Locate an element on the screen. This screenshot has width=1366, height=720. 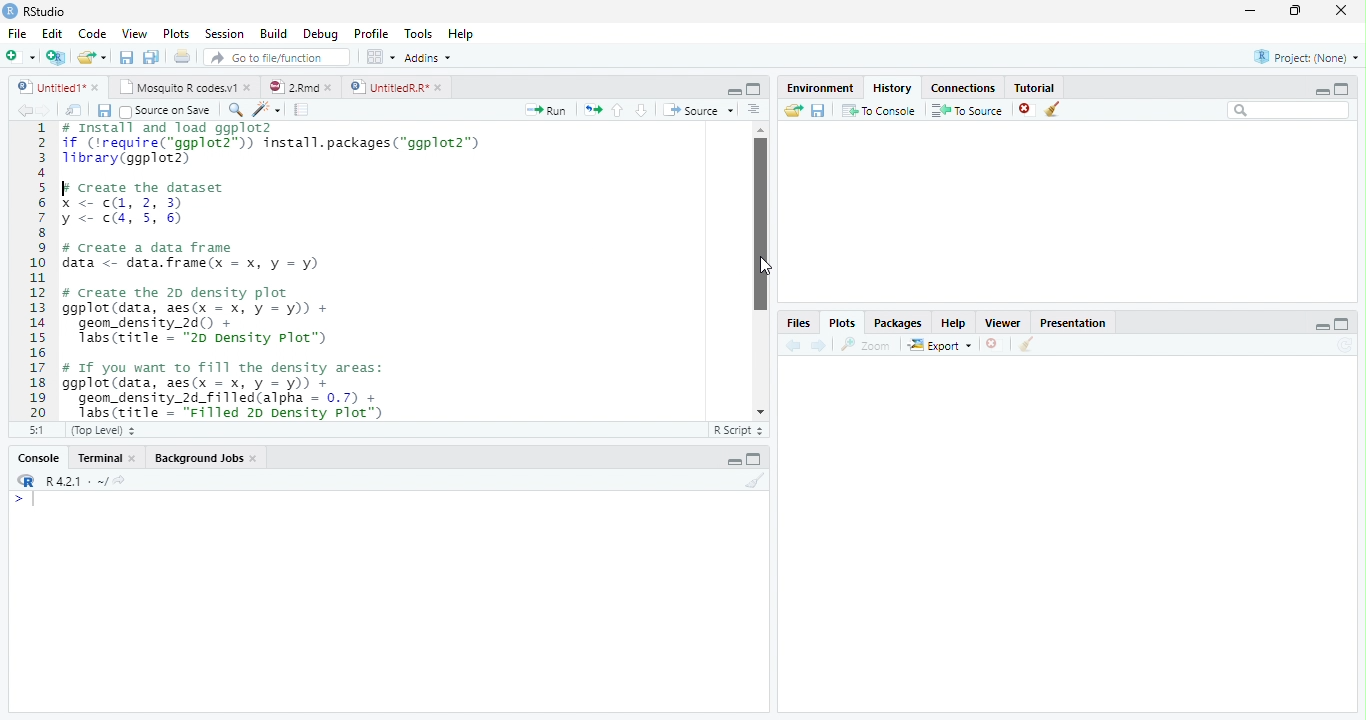
1 # Install and load ggplot2
2 if (irequire(“ggplot2”)) install.packages(“ggplot2”)
3 library(ggplot2)

4

5 J Create the dataset
6 x <c@, 2,3)

7 y<cG 5 8)

8

9 # create a data frame

10 data <- data.frame(x = x, y = y)

11
12 # create the 20 density plot
13 ggplot(data, aes(x = x, y = y)) +
14  geom_density_2d() +
15 labs(title - "20 Density Plot")

16
17 # If you want to fill the density areas:

18 ggplot(data, aes(x = x, y = y)) +
19 geom_density_2d_filled(alpha = 0.7) +
20  labs(title - “Filled 20 Density Plot™) is located at coordinates (361, 269).